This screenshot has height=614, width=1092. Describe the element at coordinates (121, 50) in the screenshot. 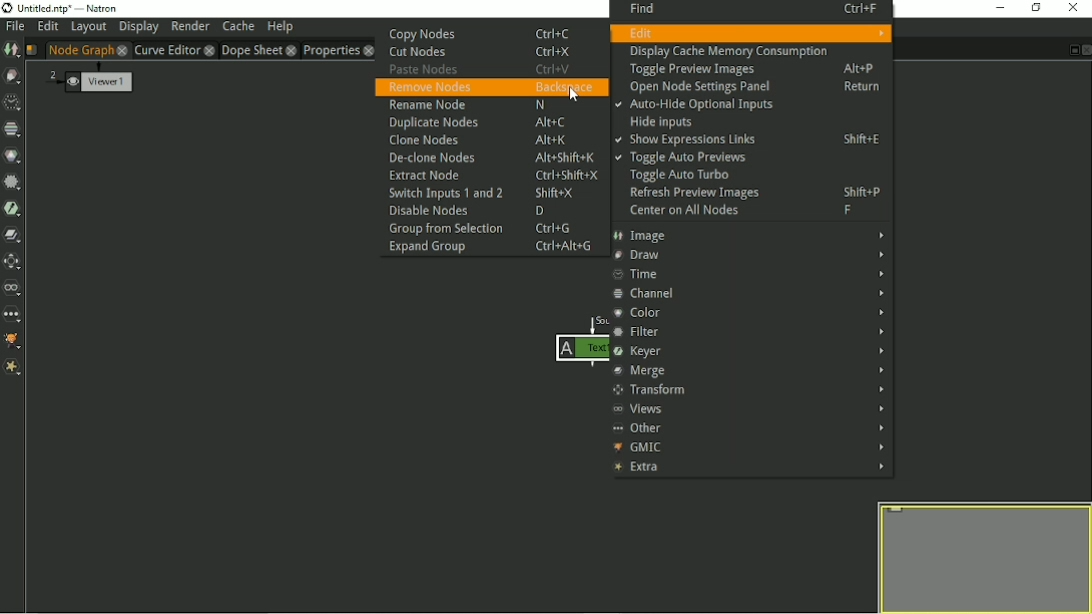

I see `close` at that location.